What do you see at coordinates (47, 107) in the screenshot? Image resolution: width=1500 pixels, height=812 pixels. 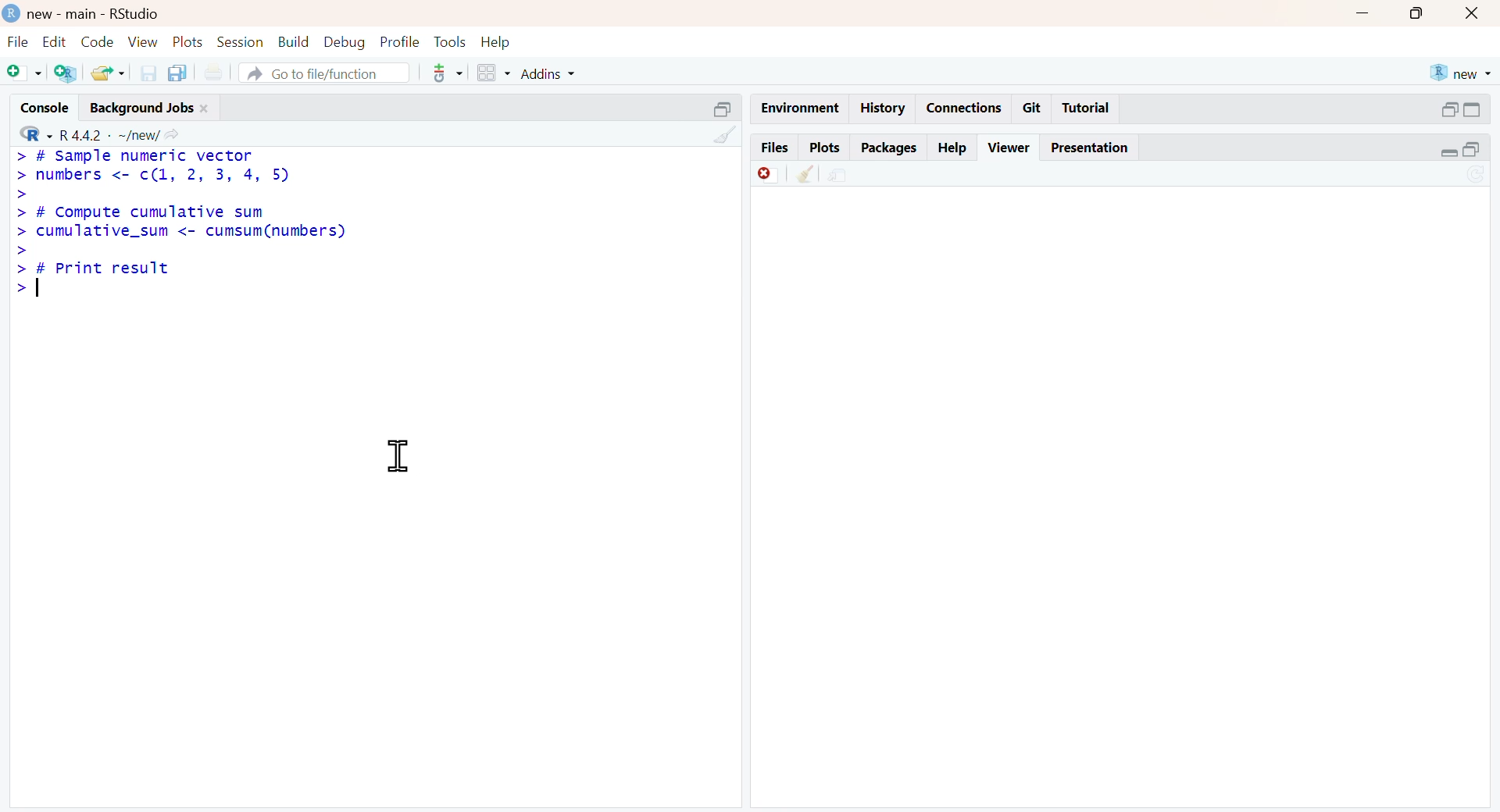 I see `console` at bounding box center [47, 107].